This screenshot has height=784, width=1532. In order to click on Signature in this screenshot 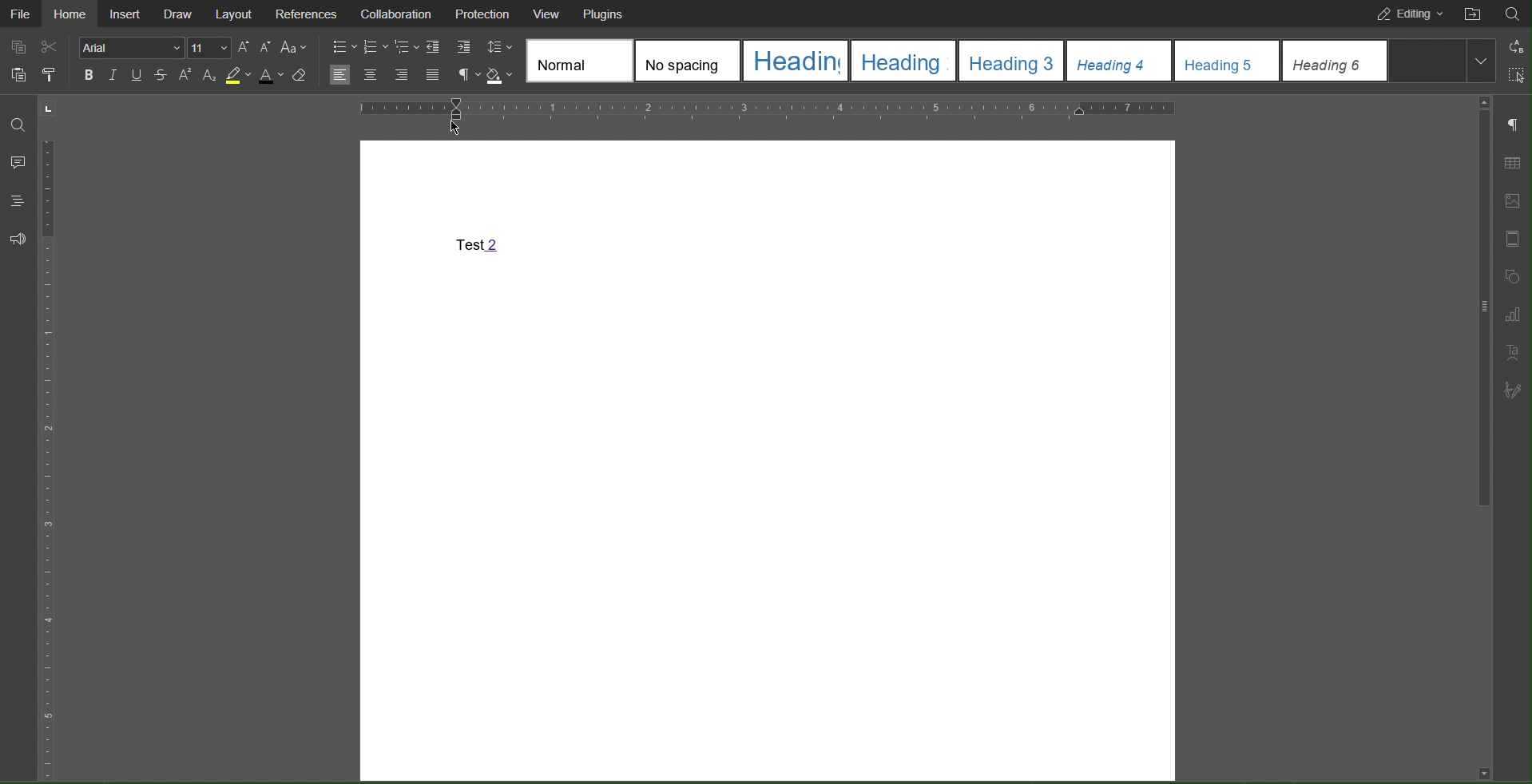, I will do `click(1518, 390)`.